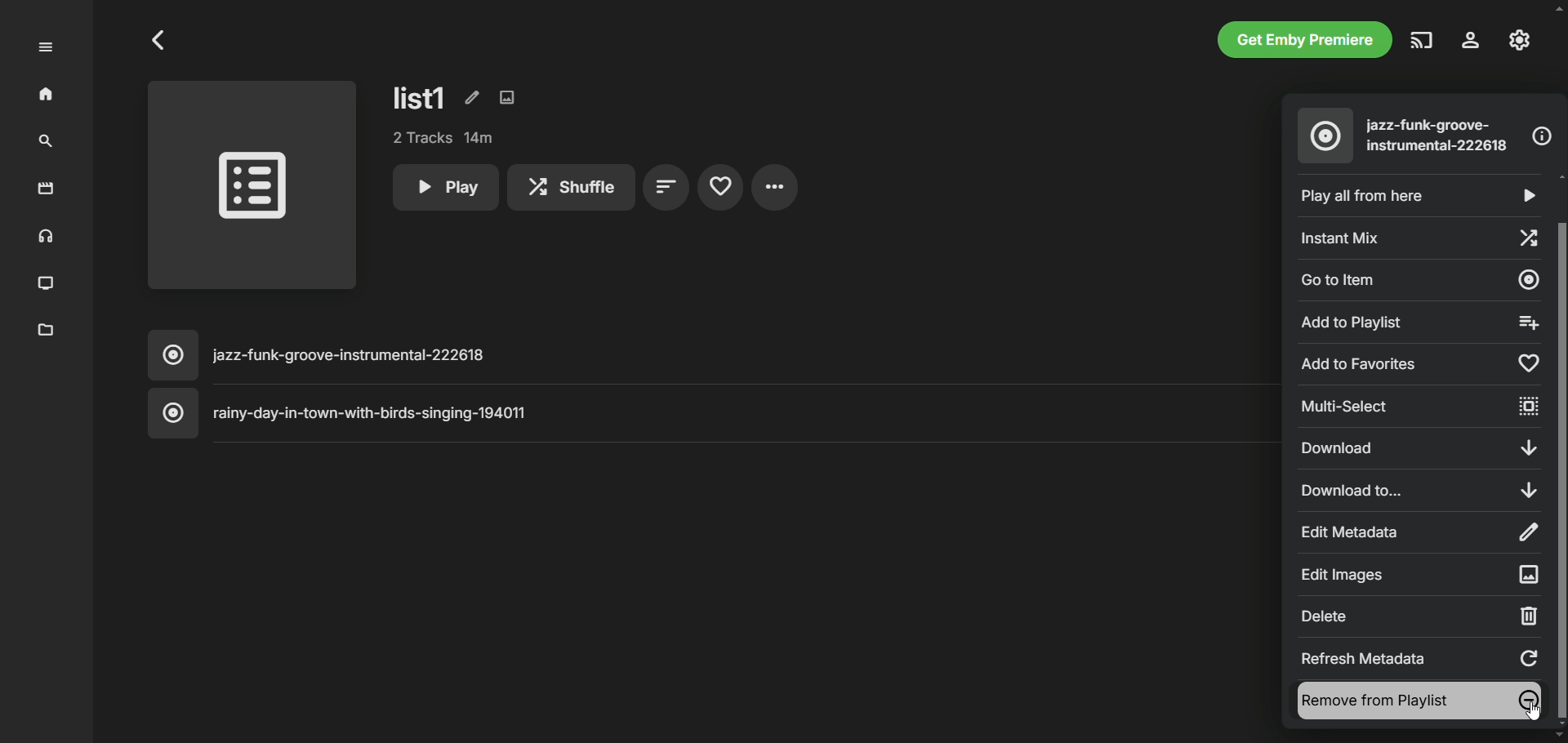  What do you see at coordinates (47, 95) in the screenshot?
I see `home` at bounding box center [47, 95].